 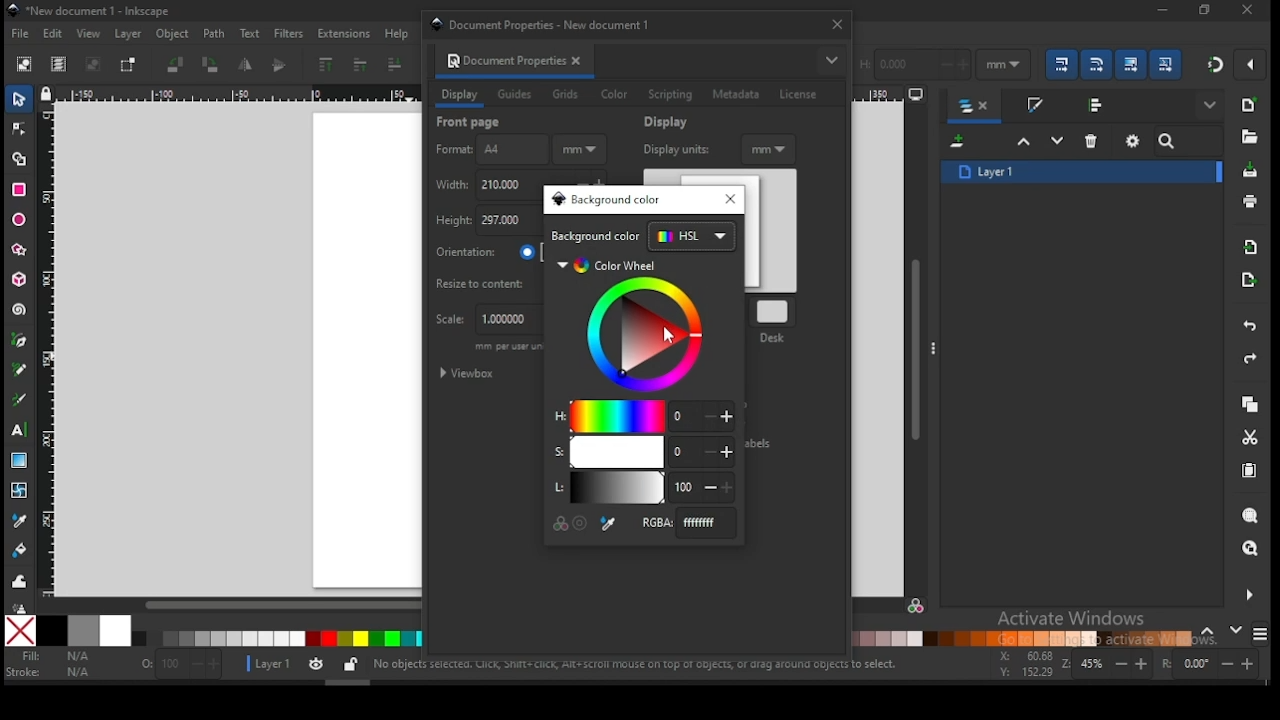 What do you see at coordinates (609, 524) in the screenshot?
I see `pick color from image` at bounding box center [609, 524].